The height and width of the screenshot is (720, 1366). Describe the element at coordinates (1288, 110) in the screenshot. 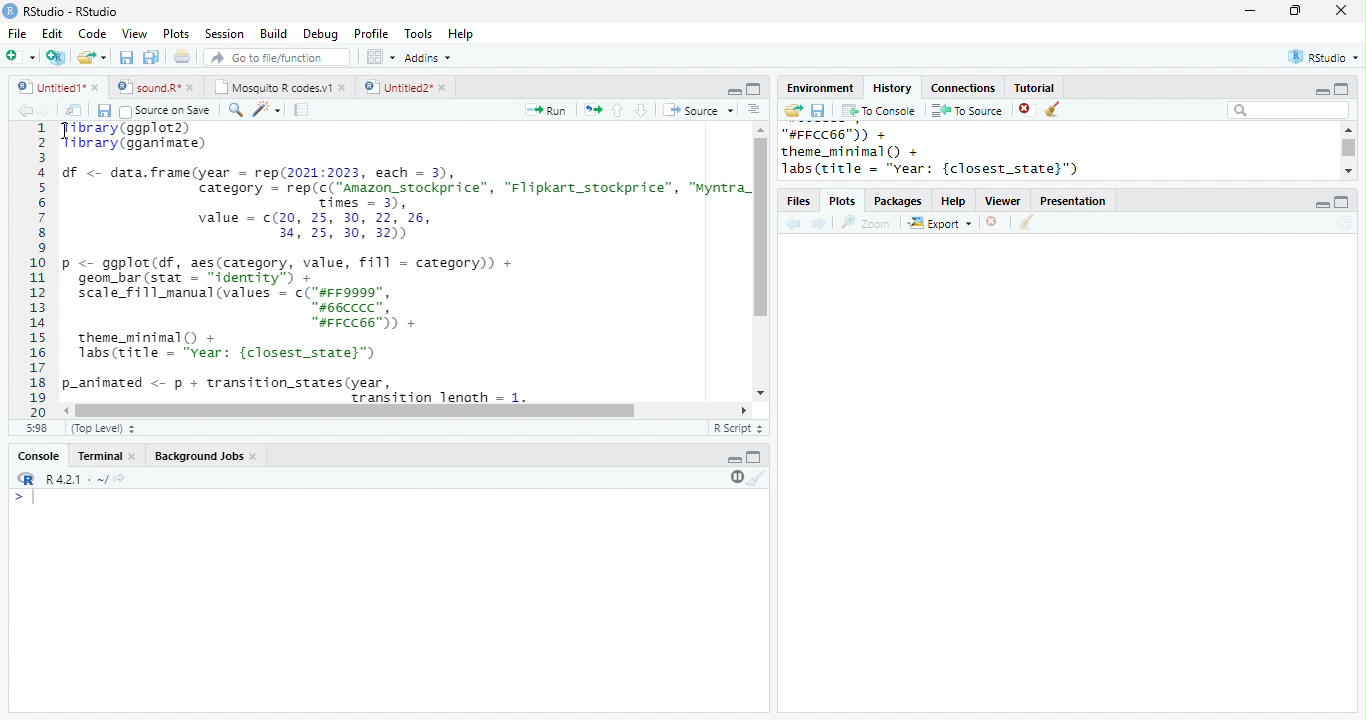

I see `search bar` at that location.